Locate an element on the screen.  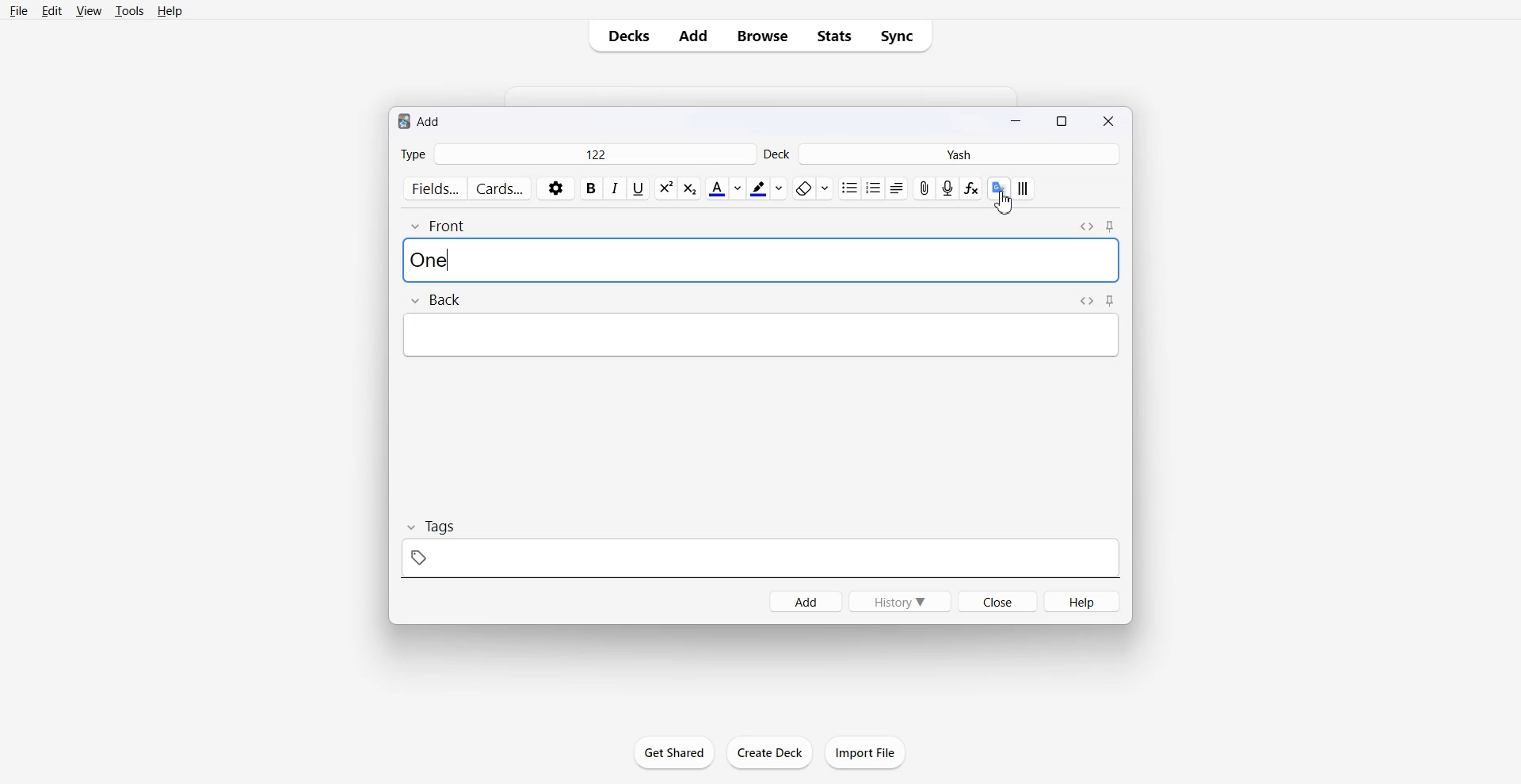
Superscript is located at coordinates (692, 188).